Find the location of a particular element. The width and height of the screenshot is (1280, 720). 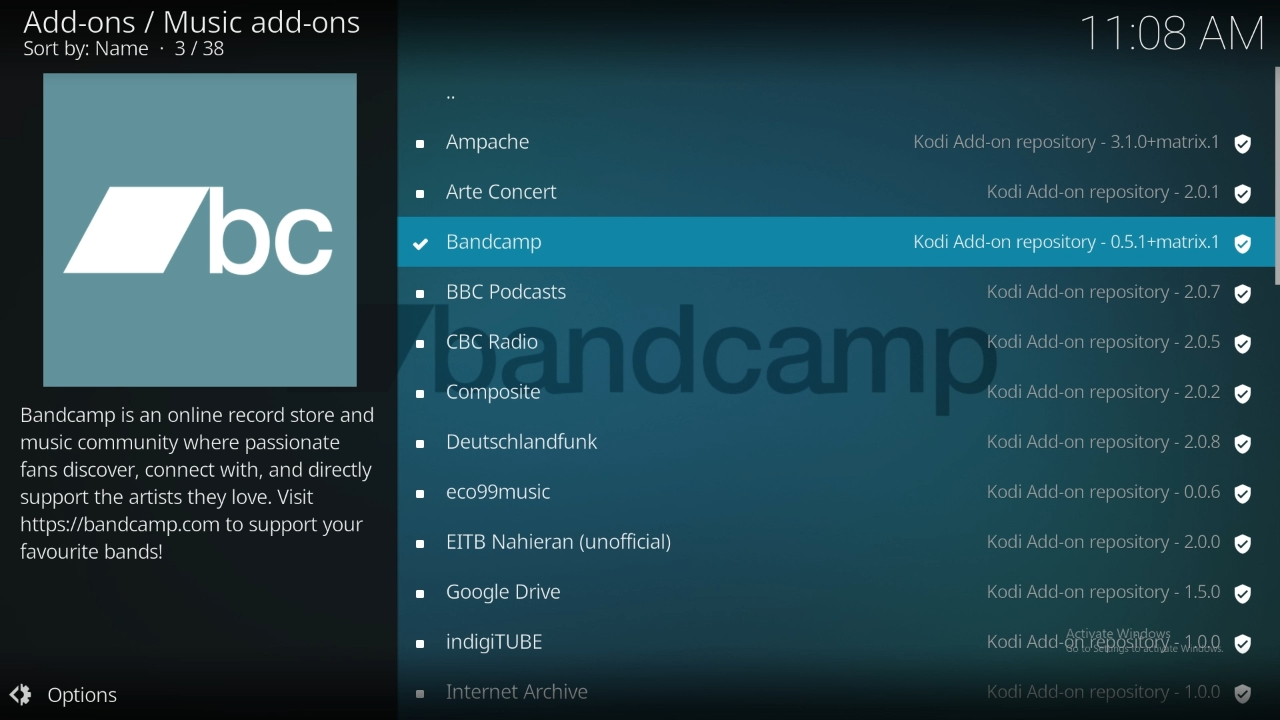

add on is located at coordinates (832, 395).